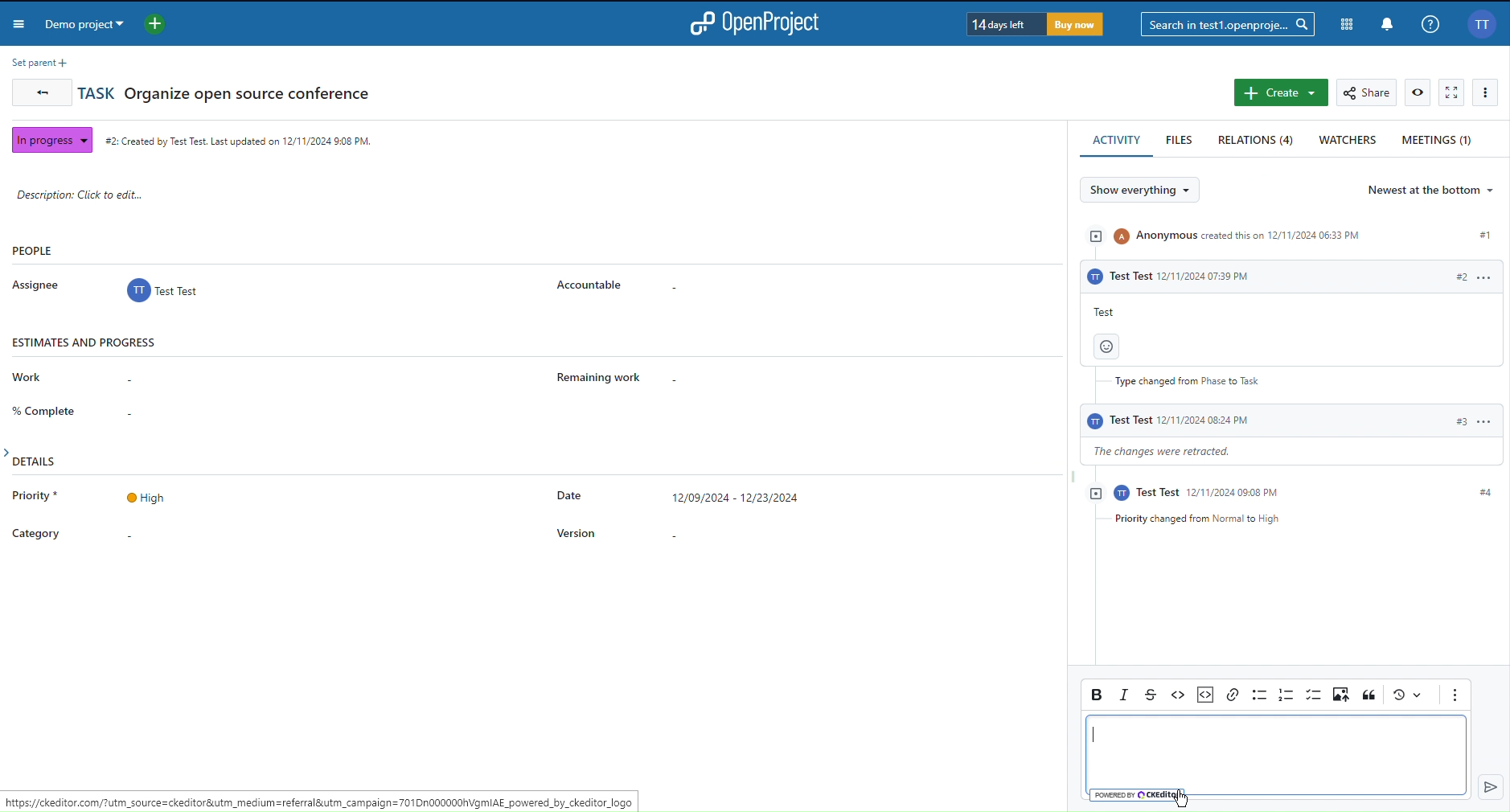 Image resolution: width=1510 pixels, height=812 pixels. Describe the element at coordinates (1258, 141) in the screenshot. I see `Relations` at that location.